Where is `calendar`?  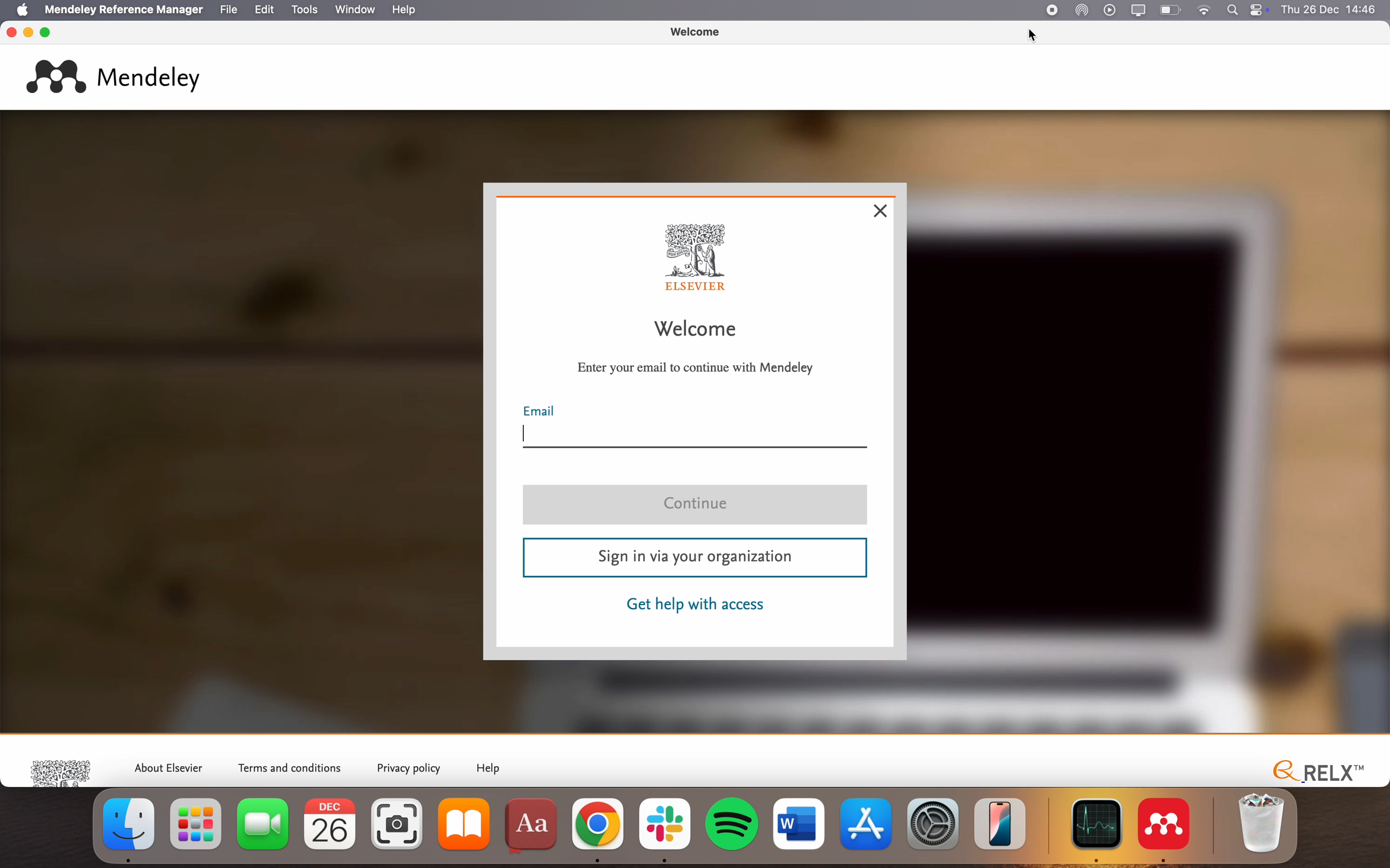 calendar is located at coordinates (333, 826).